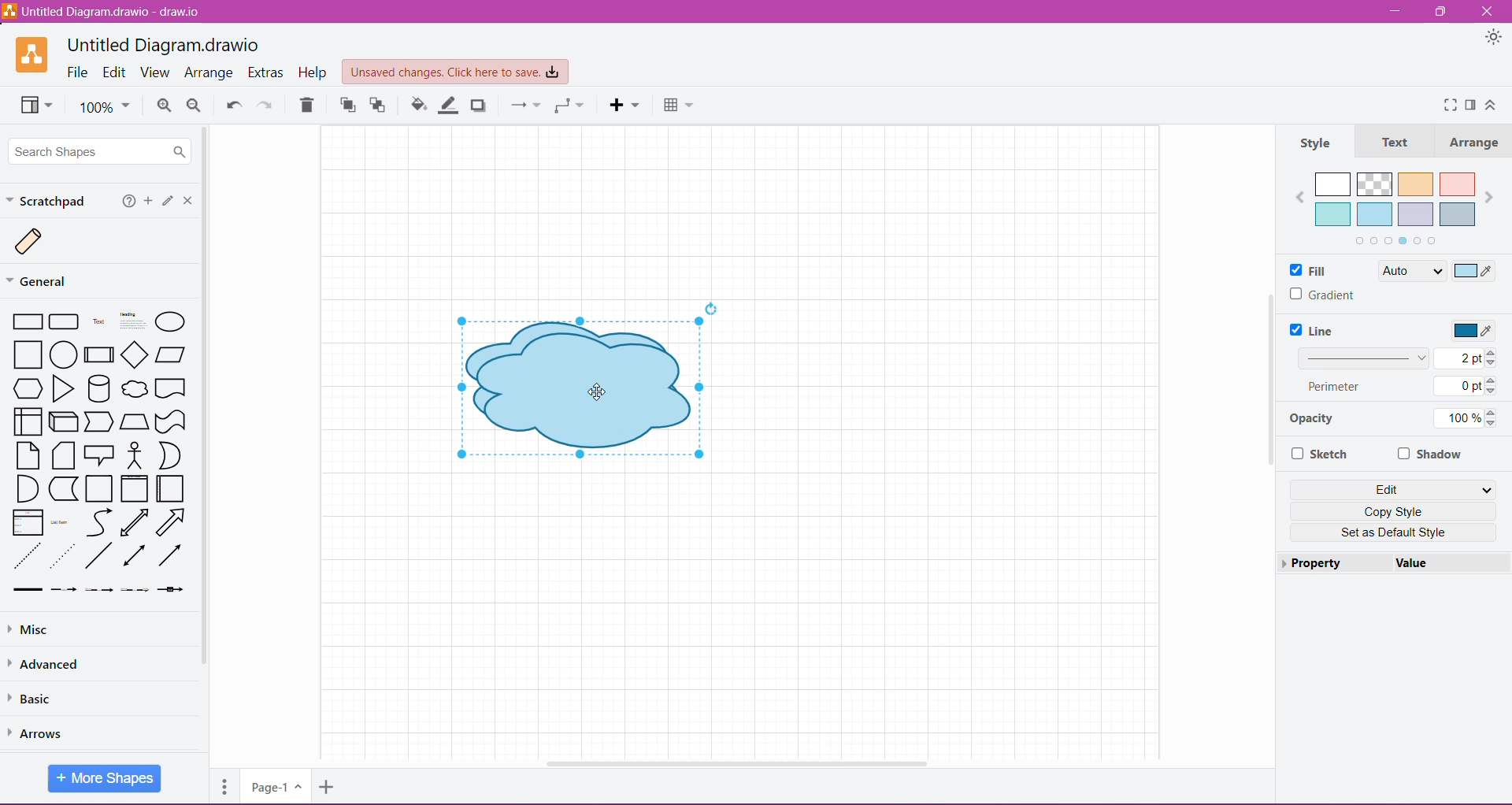  Describe the element at coordinates (735, 763) in the screenshot. I see `Horizontal Scroll Bar` at that location.